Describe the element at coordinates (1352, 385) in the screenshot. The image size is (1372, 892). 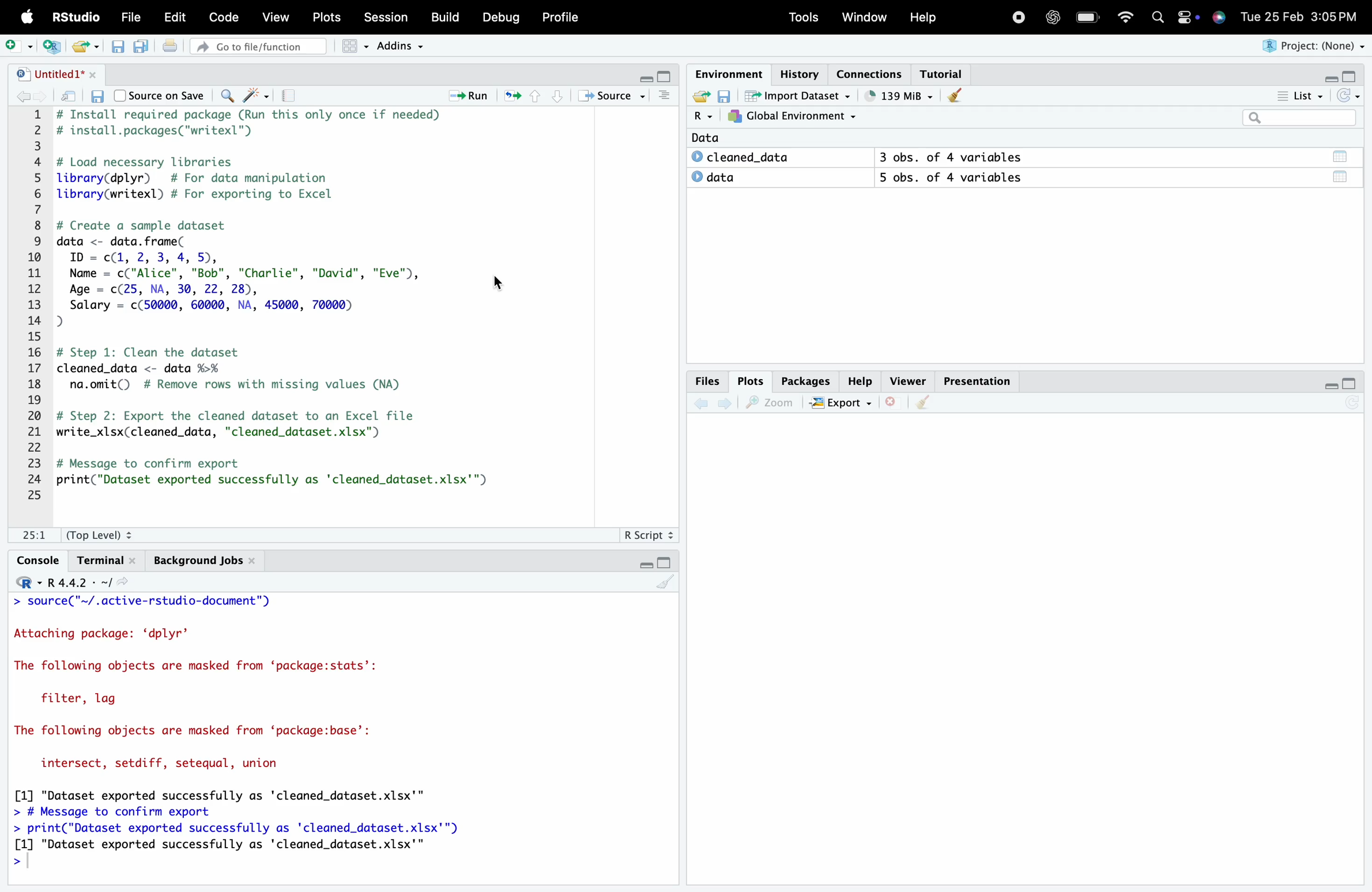
I see `Maximize/Restore` at that location.